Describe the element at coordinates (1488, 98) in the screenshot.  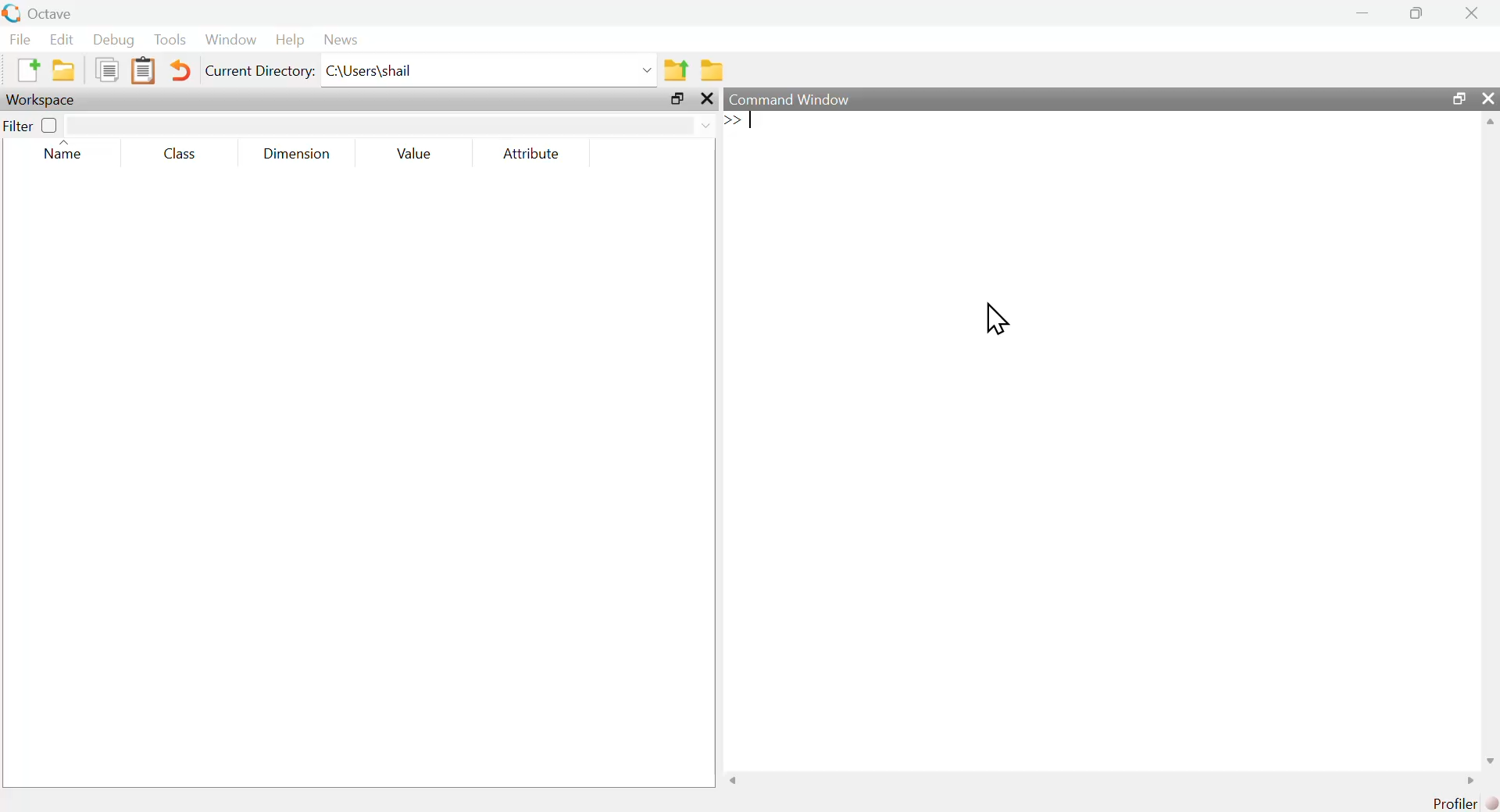
I see `close` at that location.